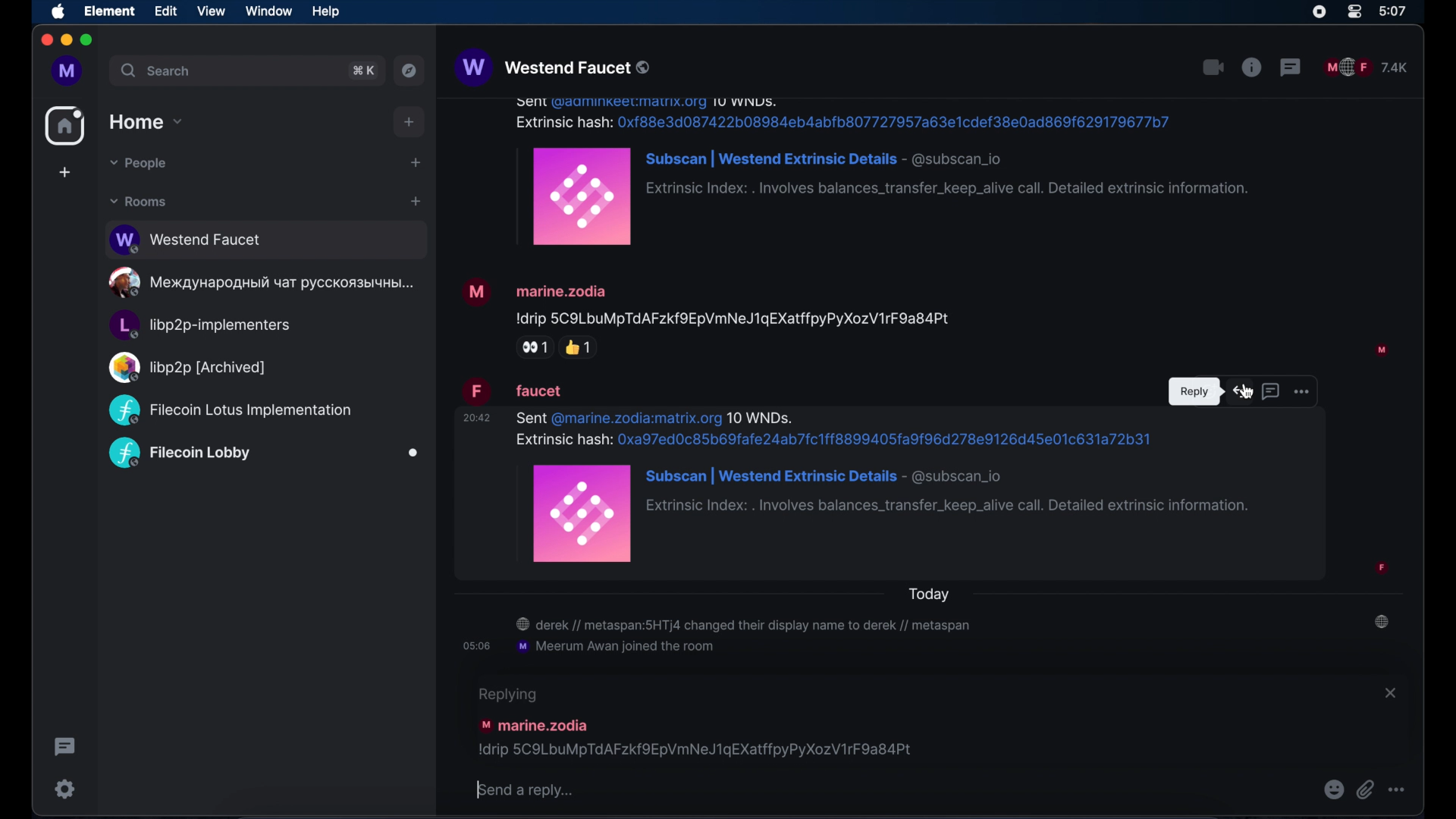 This screenshot has height=819, width=1456. I want to click on create  space, so click(66, 173).